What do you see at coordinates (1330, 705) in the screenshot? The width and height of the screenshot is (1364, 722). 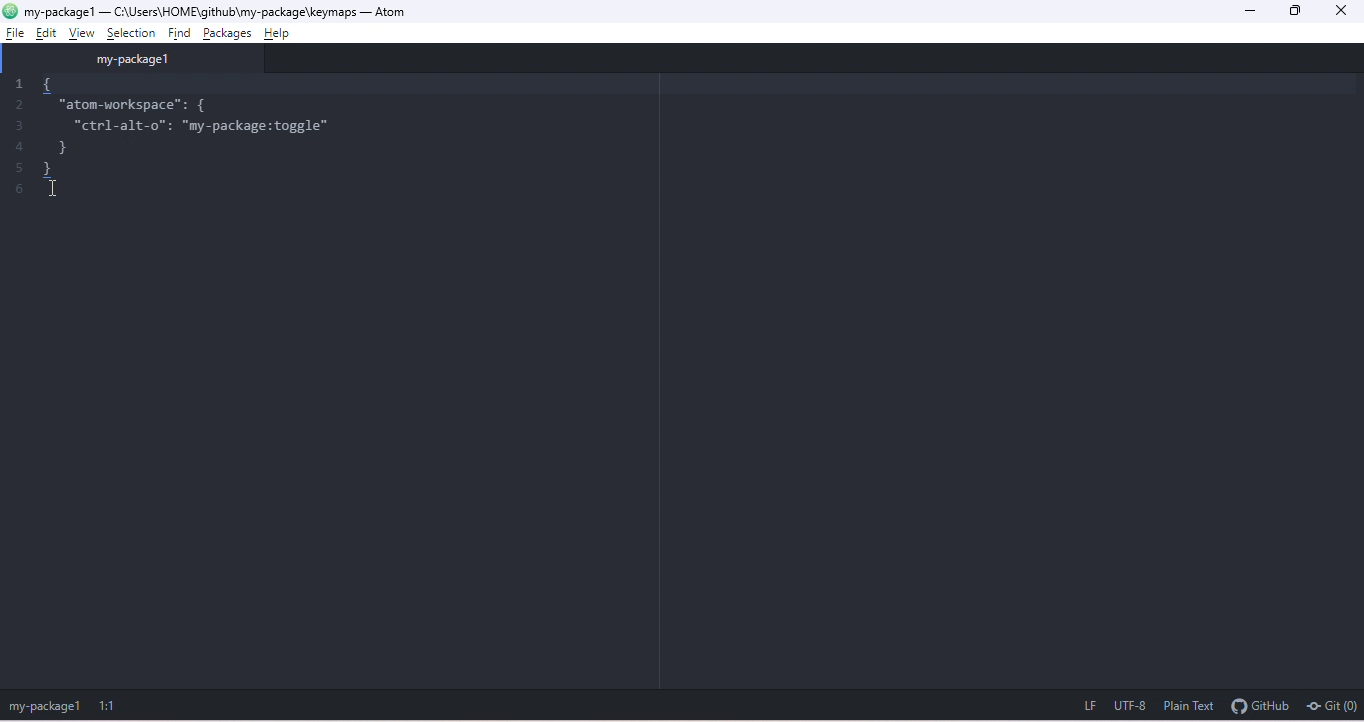 I see `git(0)` at bounding box center [1330, 705].